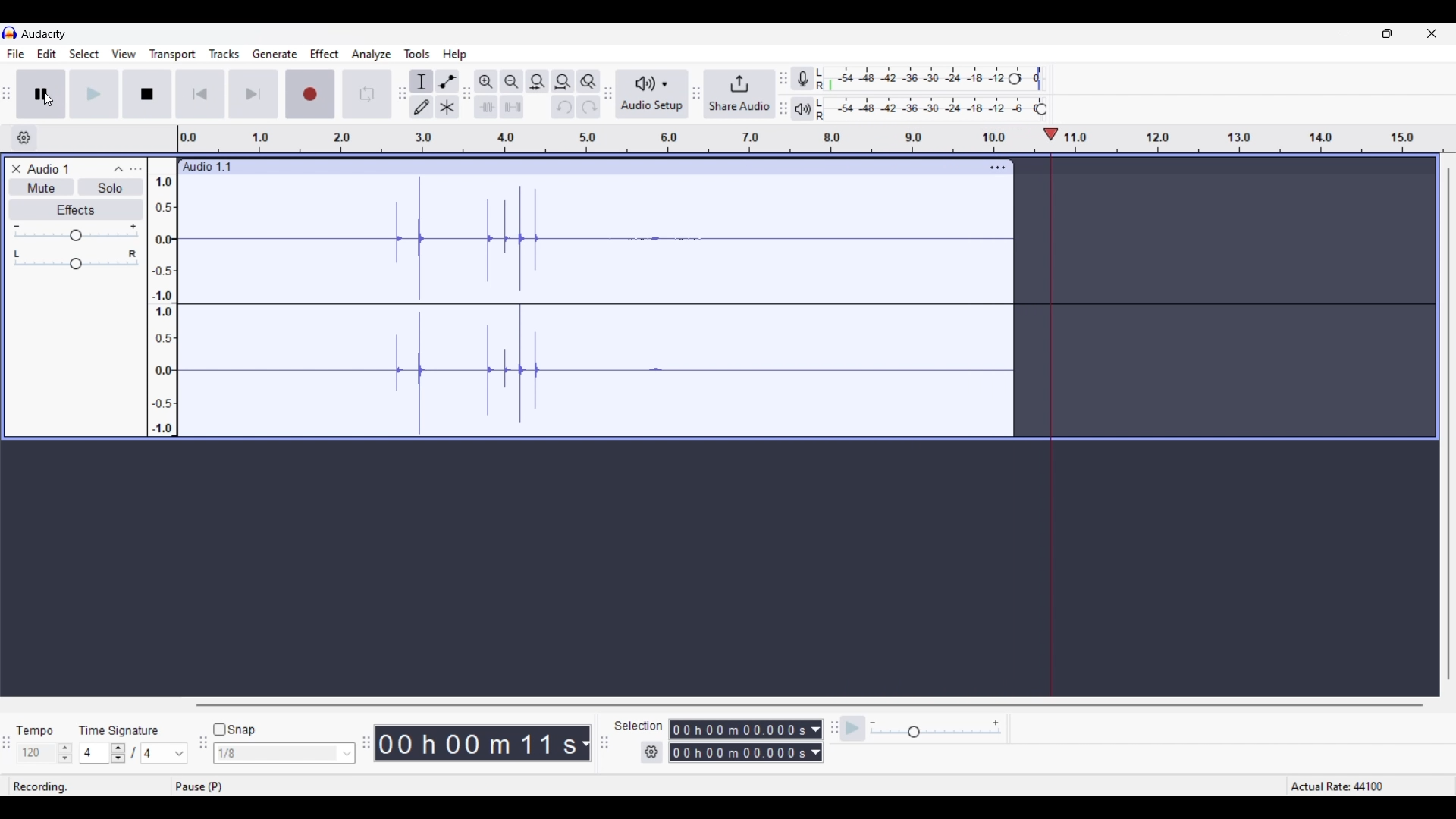 This screenshot has height=819, width=1456. Describe the element at coordinates (418, 124) in the screenshot. I see `Description of current selection` at that location.